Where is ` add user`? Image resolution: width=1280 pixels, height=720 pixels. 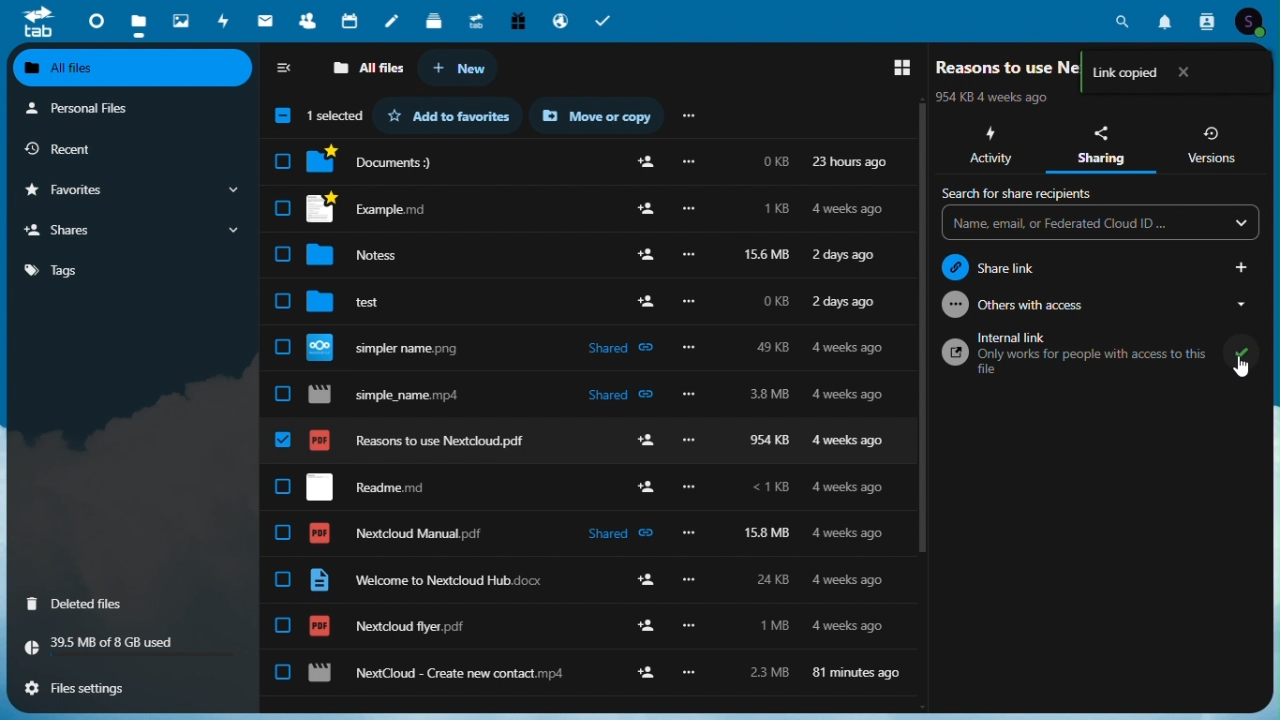  add user is located at coordinates (645, 580).